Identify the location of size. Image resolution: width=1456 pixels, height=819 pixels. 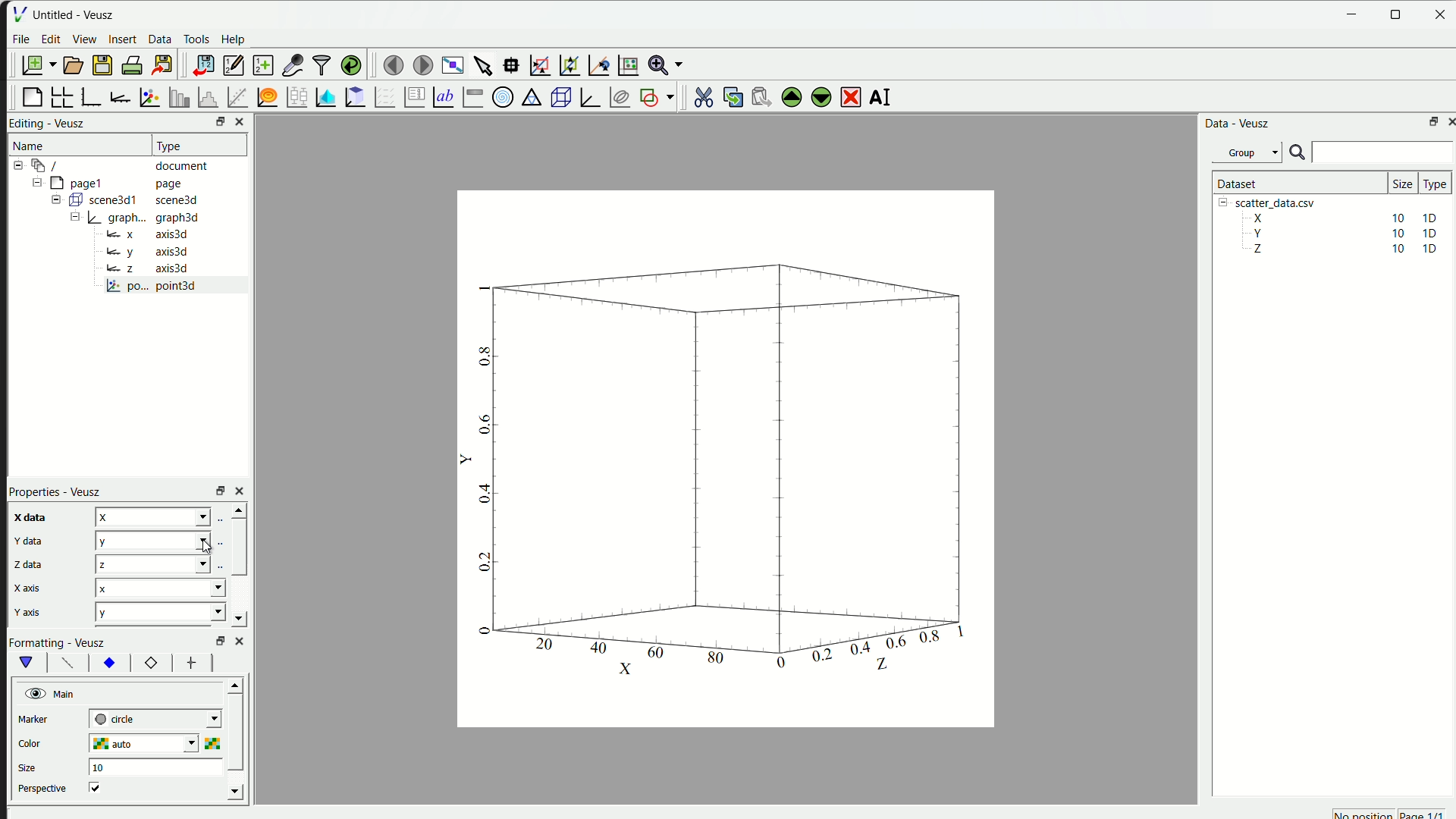
(1398, 180).